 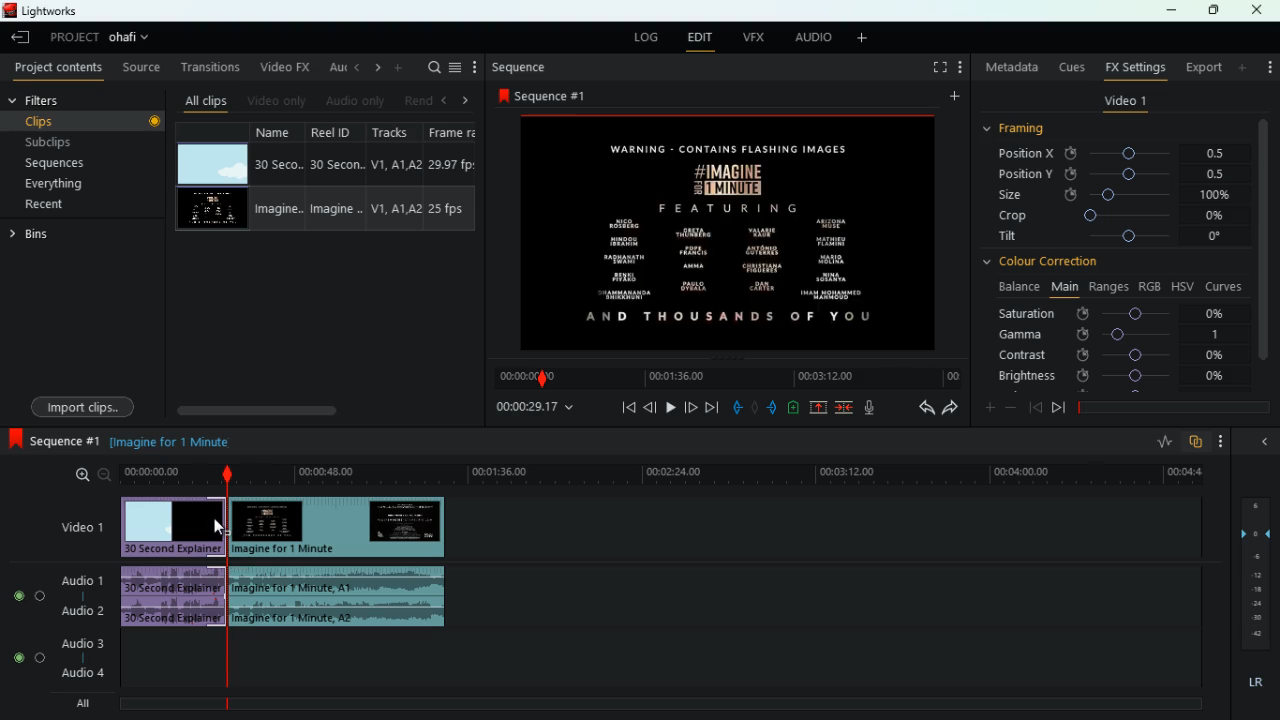 What do you see at coordinates (212, 67) in the screenshot?
I see `transitions` at bounding box center [212, 67].